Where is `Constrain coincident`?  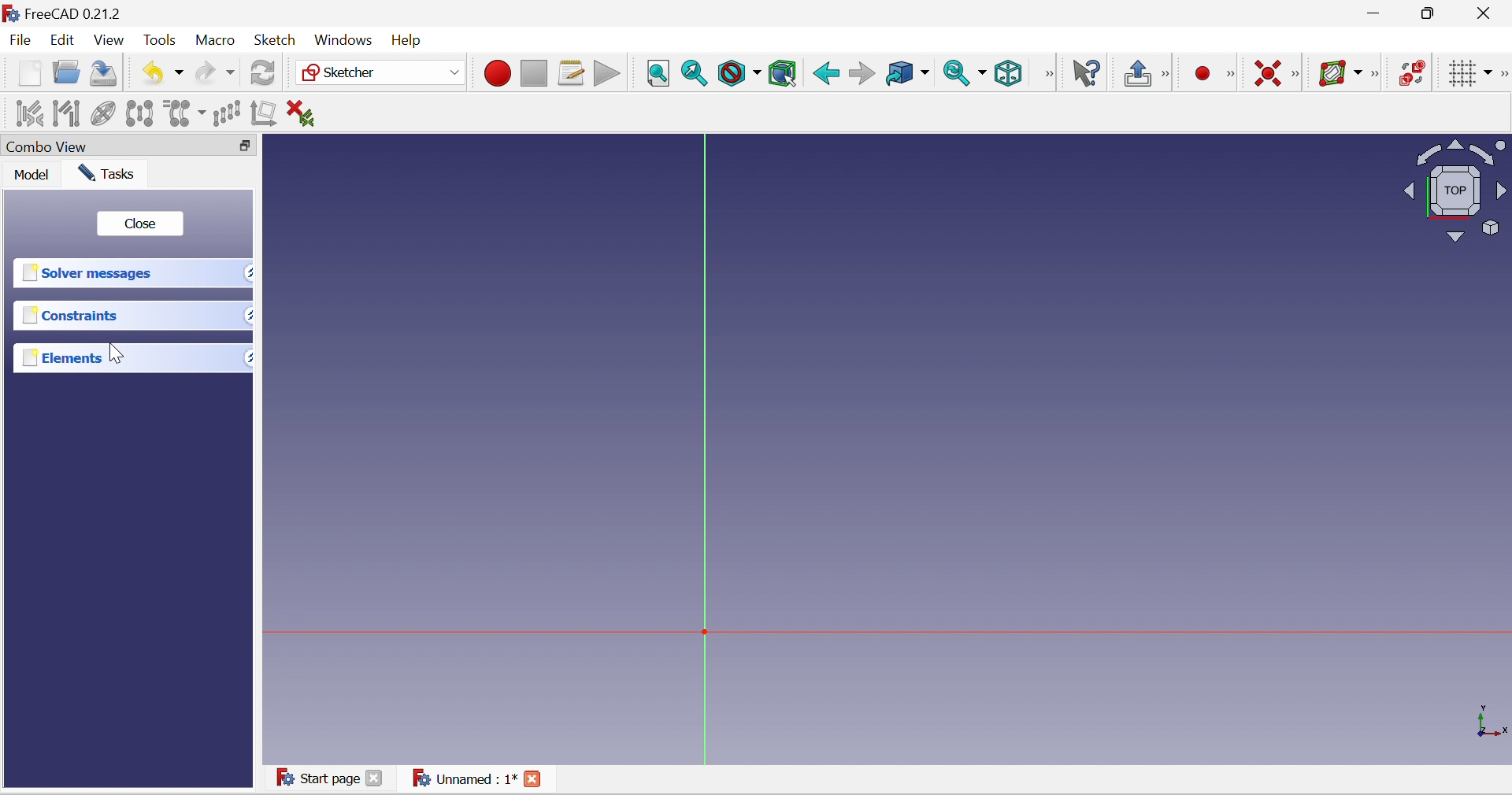
Constrain coincident is located at coordinates (1266, 73).